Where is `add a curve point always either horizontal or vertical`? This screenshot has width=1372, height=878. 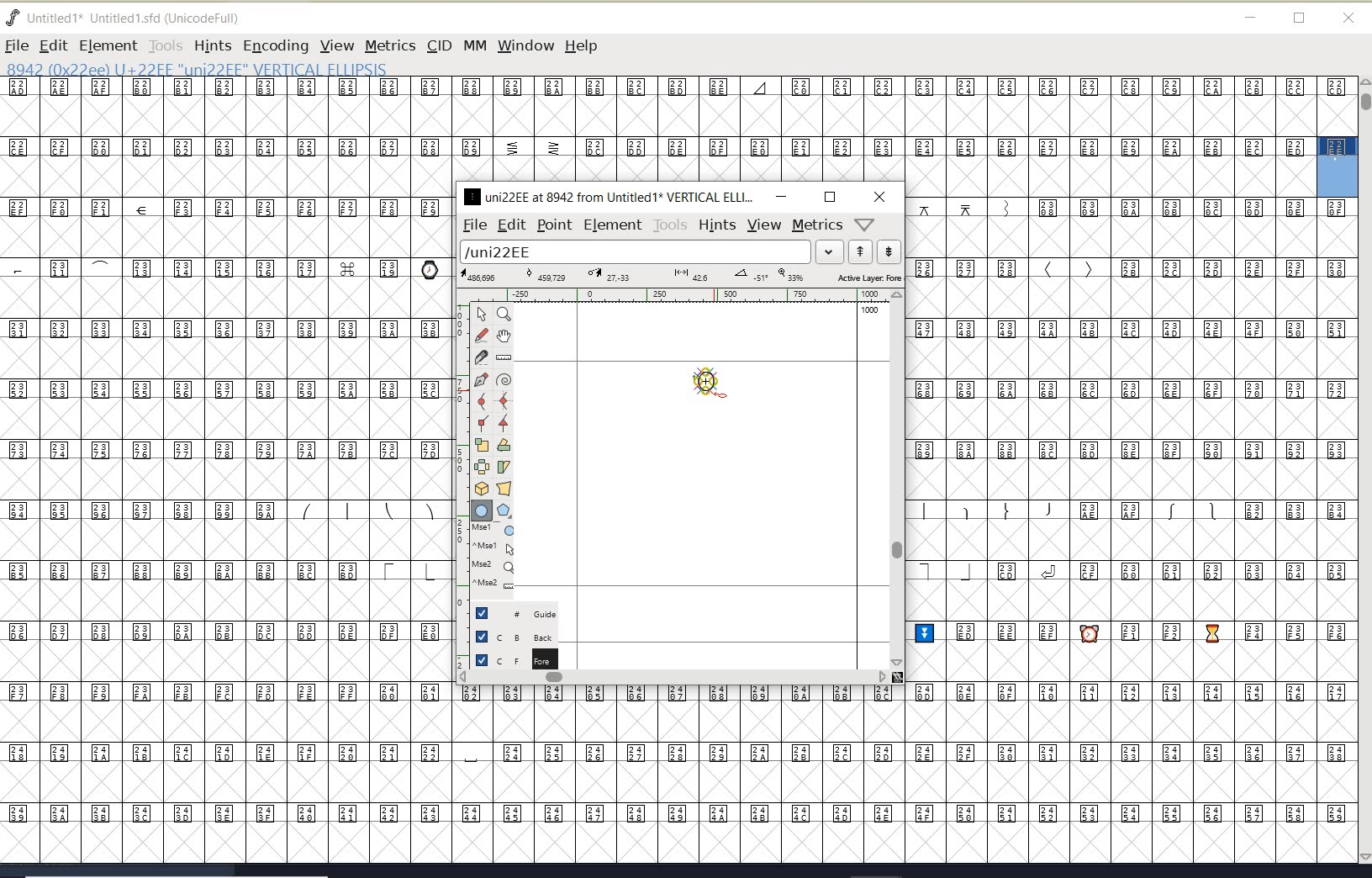 add a curve point always either horizontal or vertical is located at coordinates (502, 400).